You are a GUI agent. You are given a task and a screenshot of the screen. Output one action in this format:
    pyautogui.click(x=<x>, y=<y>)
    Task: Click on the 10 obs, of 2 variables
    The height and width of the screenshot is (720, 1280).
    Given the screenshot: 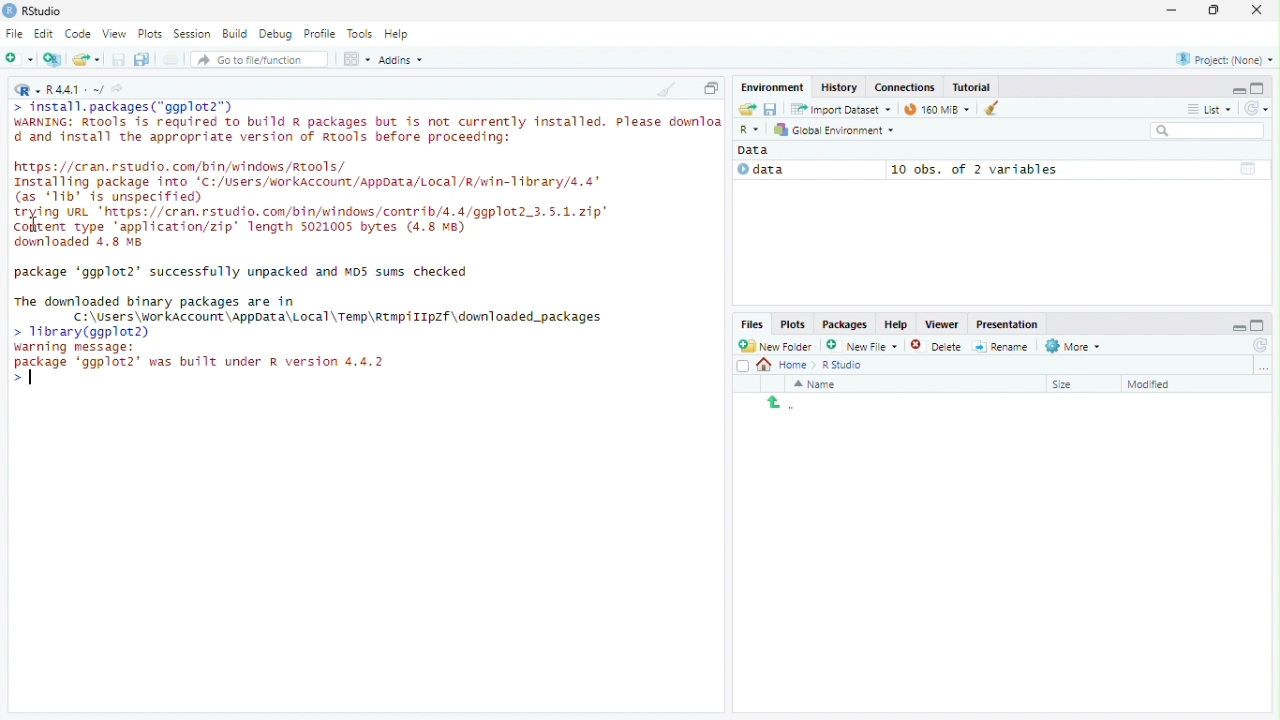 What is the action you would take?
    pyautogui.click(x=1077, y=169)
    